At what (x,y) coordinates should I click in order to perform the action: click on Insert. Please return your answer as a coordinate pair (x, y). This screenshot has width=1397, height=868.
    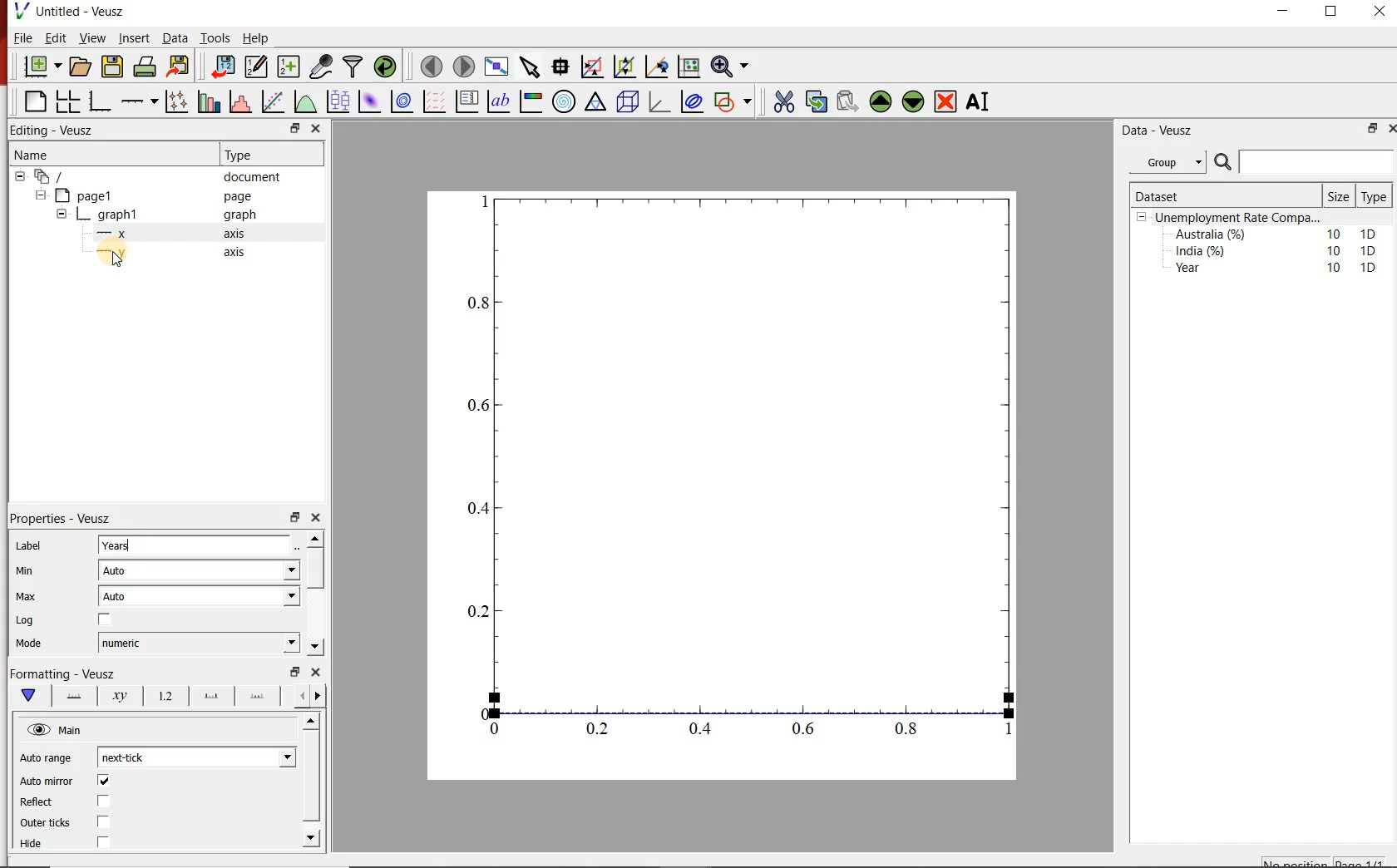
    Looking at the image, I should click on (133, 37).